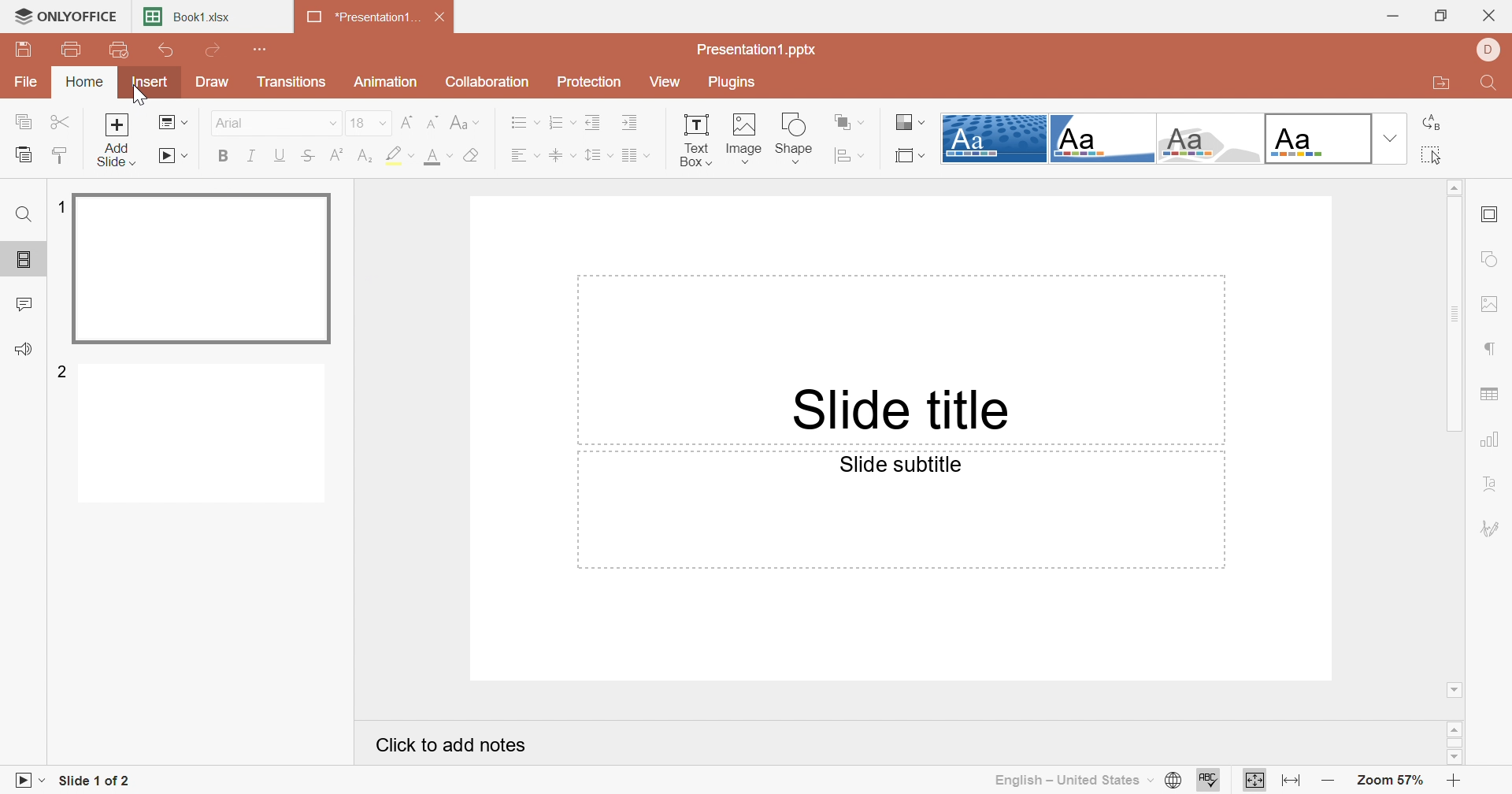 The height and width of the screenshot is (794, 1512). I want to click on Horizontal Align, so click(524, 158).